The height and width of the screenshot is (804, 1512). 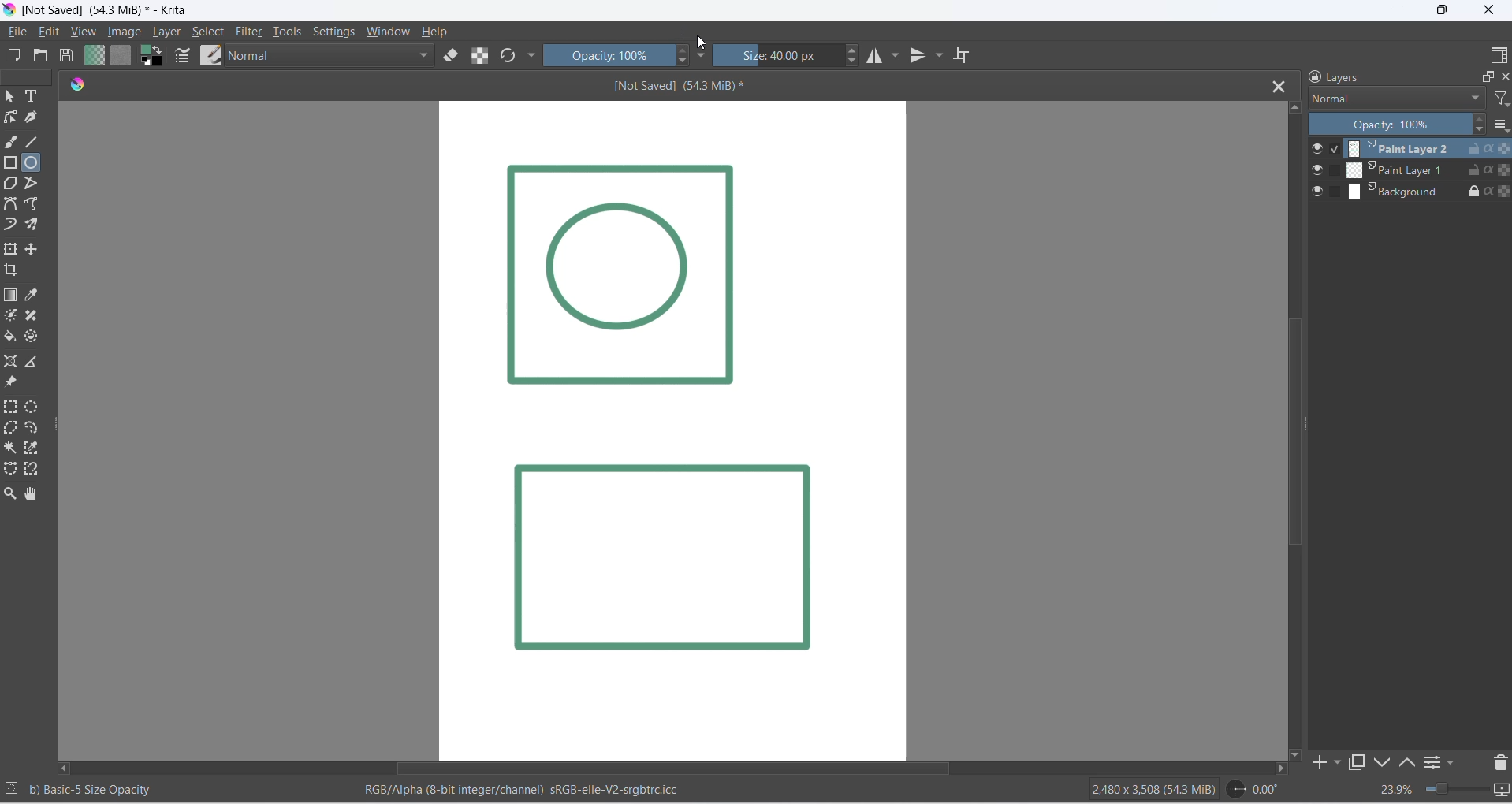 What do you see at coordinates (1497, 190) in the screenshot?
I see `Preserver Alpha` at bounding box center [1497, 190].